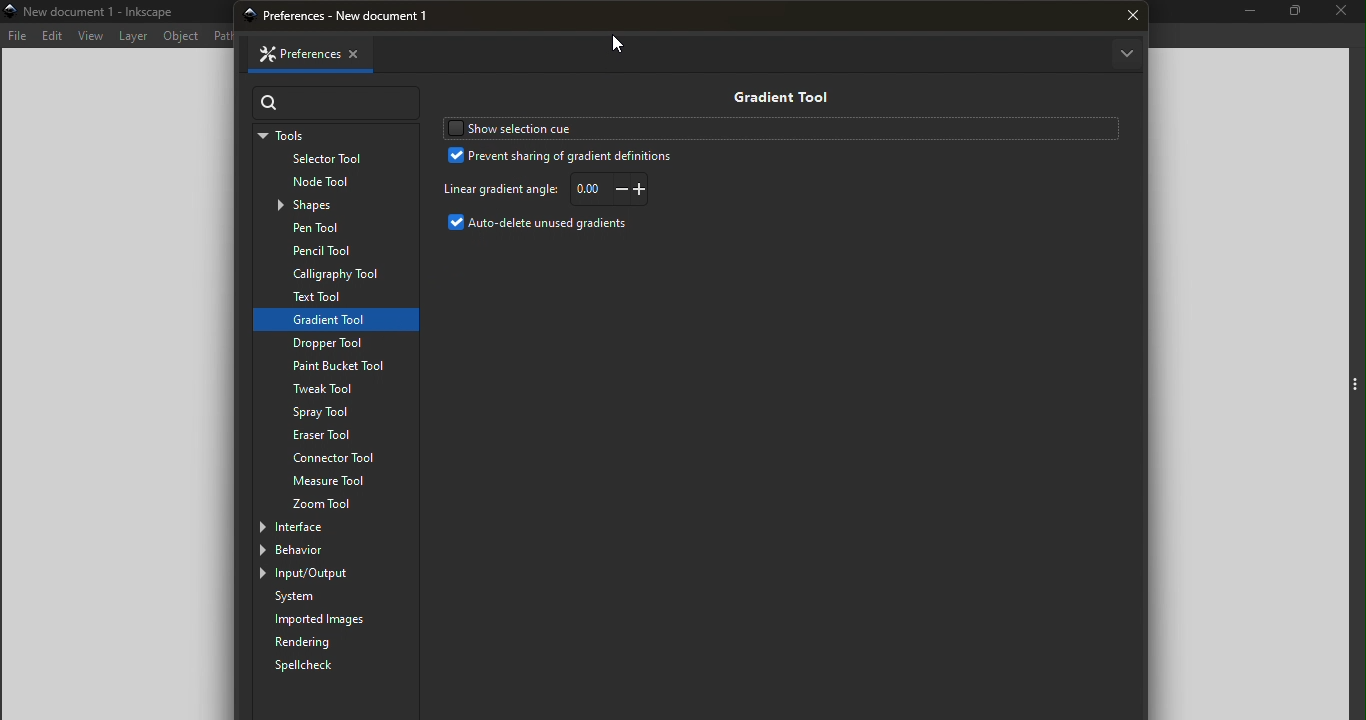 The image size is (1366, 720). Describe the element at coordinates (562, 156) in the screenshot. I see `Prevent sharing of gradient definitions` at that location.